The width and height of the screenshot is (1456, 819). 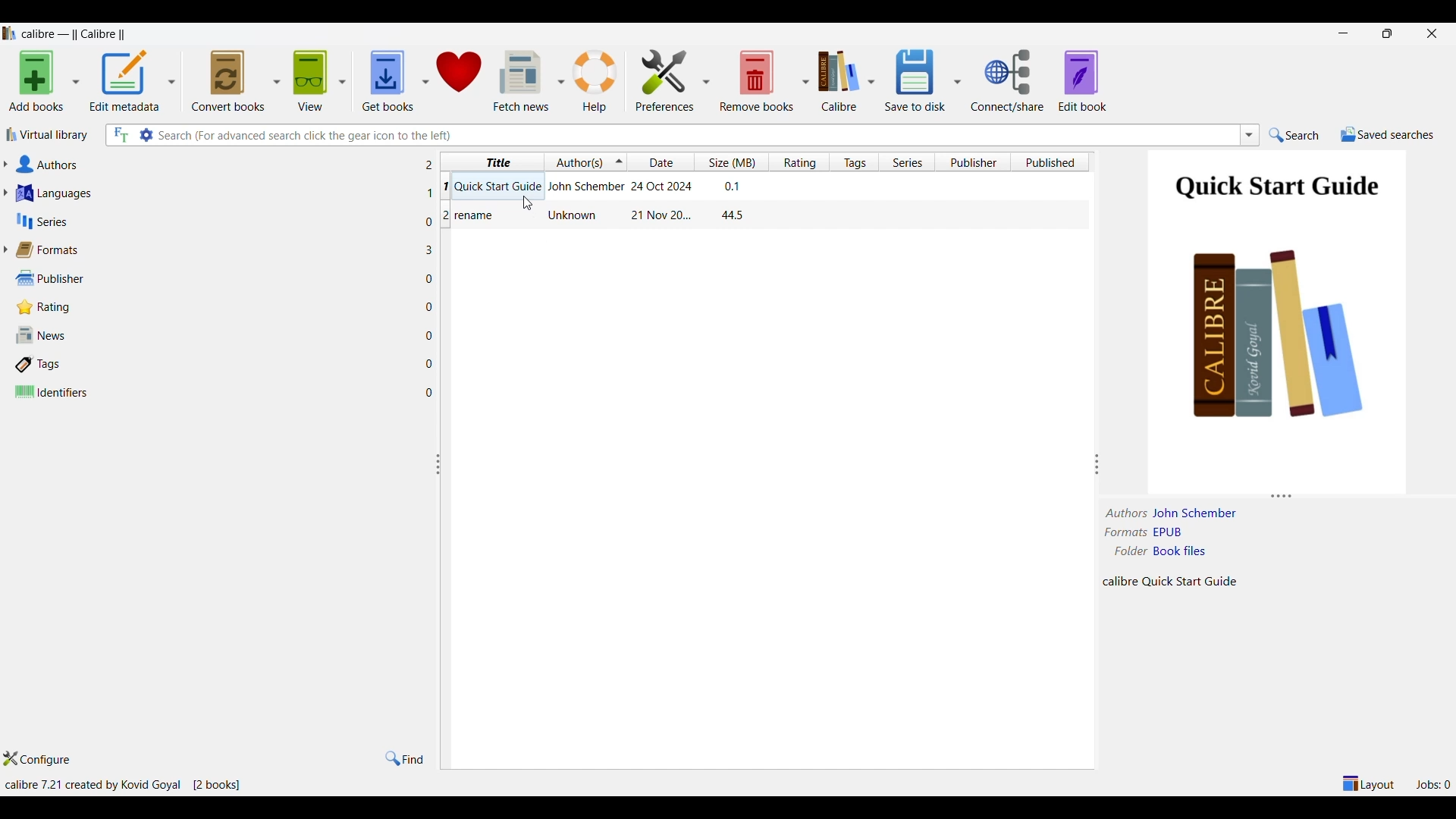 I want to click on Calibre options, so click(x=871, y=81).